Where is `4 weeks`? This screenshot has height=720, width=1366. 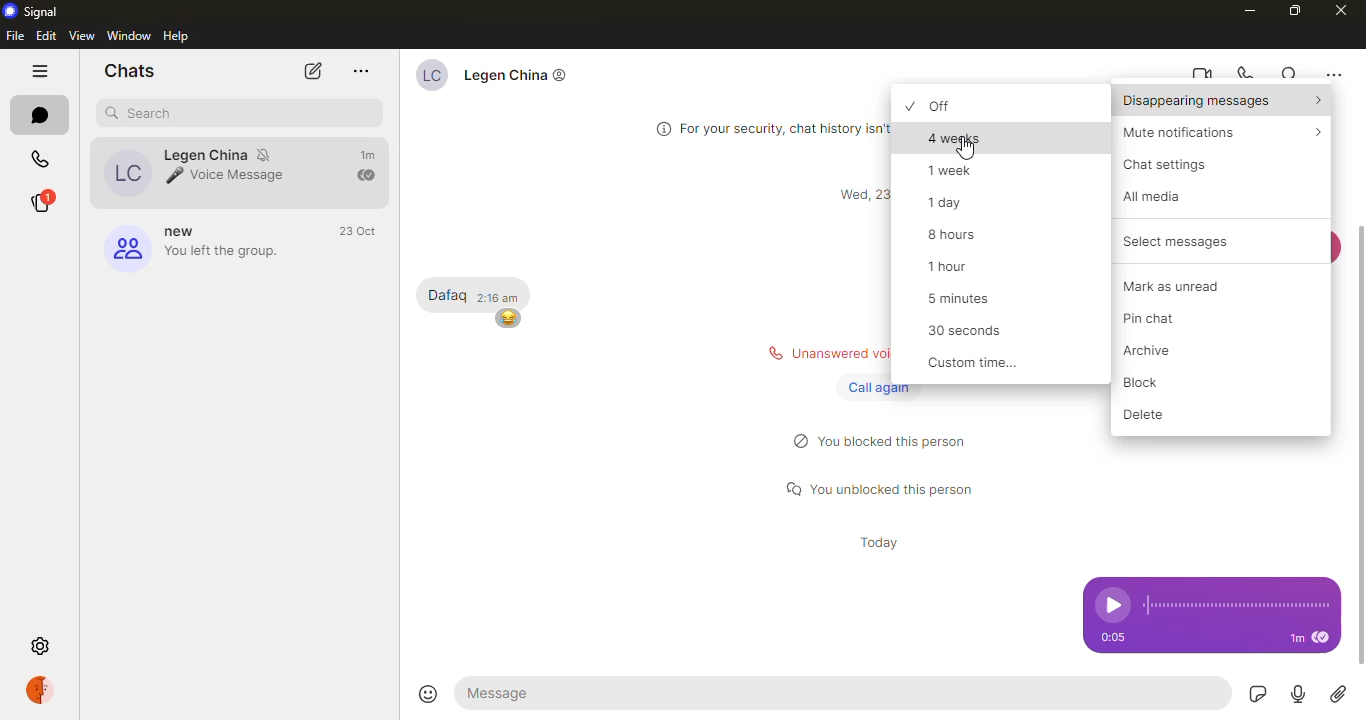 4 weeks is located at coordinates (960, 137).